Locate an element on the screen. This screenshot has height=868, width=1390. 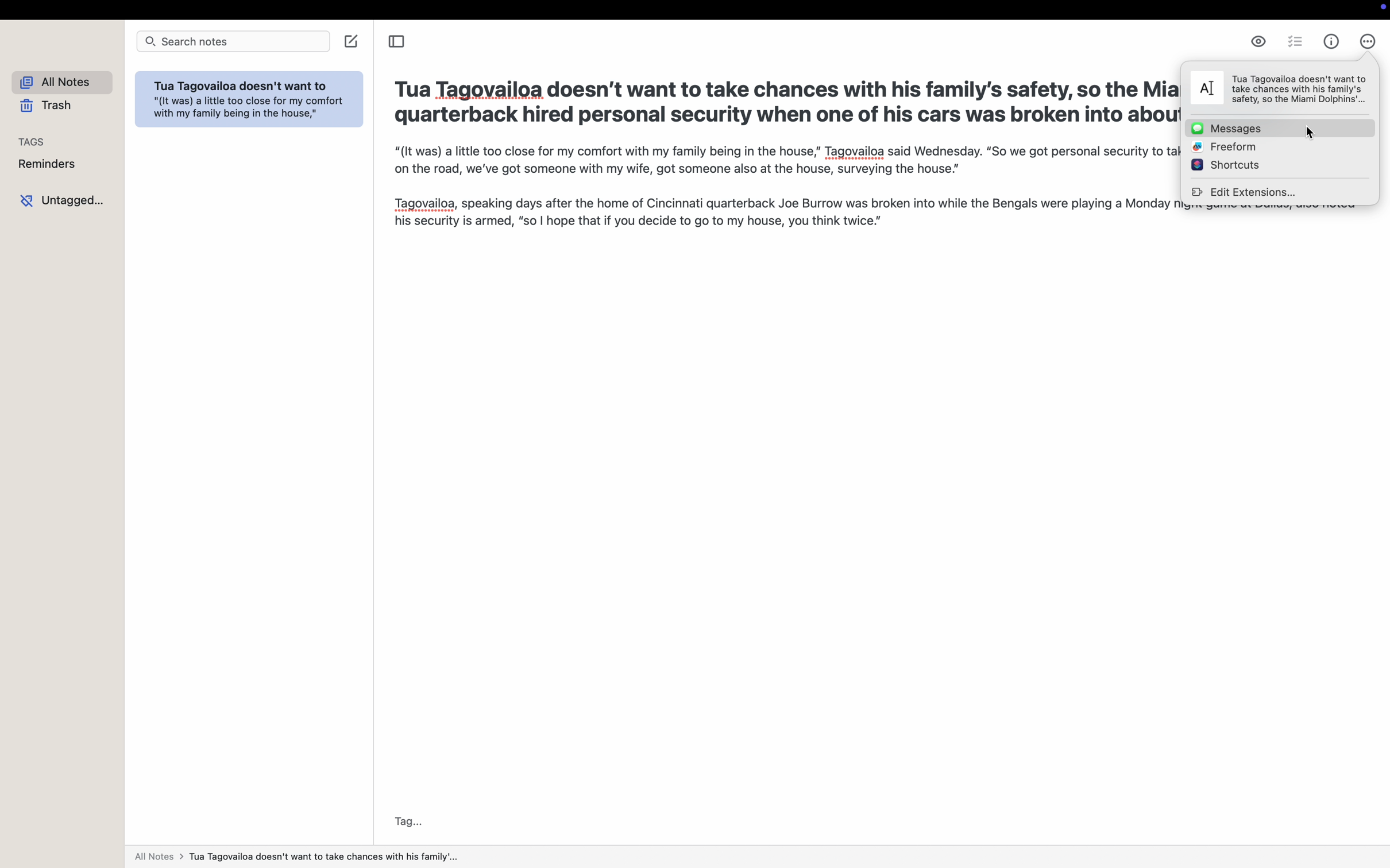
click on more options is located at coordinates (1368, 43).